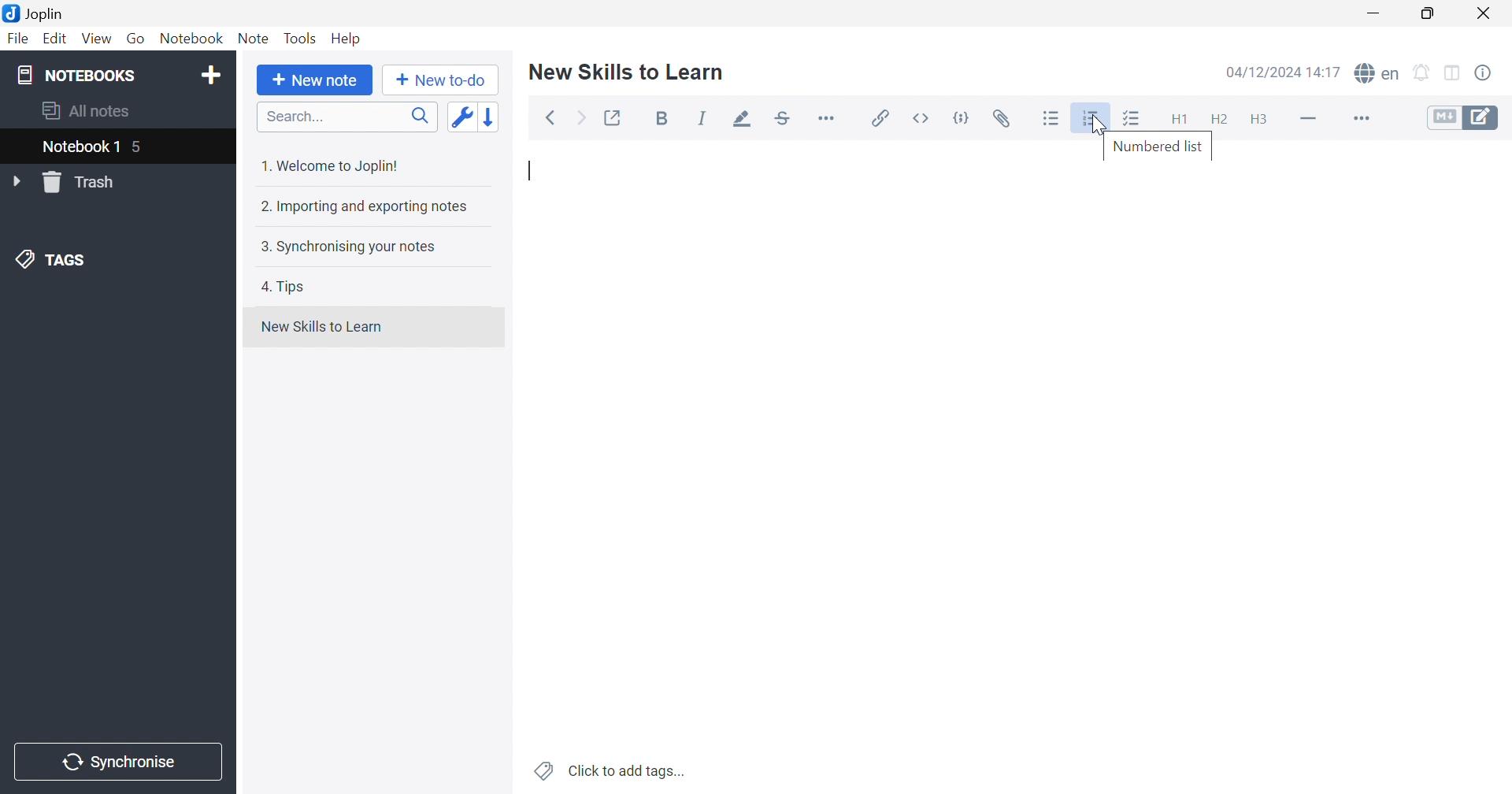  I want to click on Minimize, so click(1378, 13).